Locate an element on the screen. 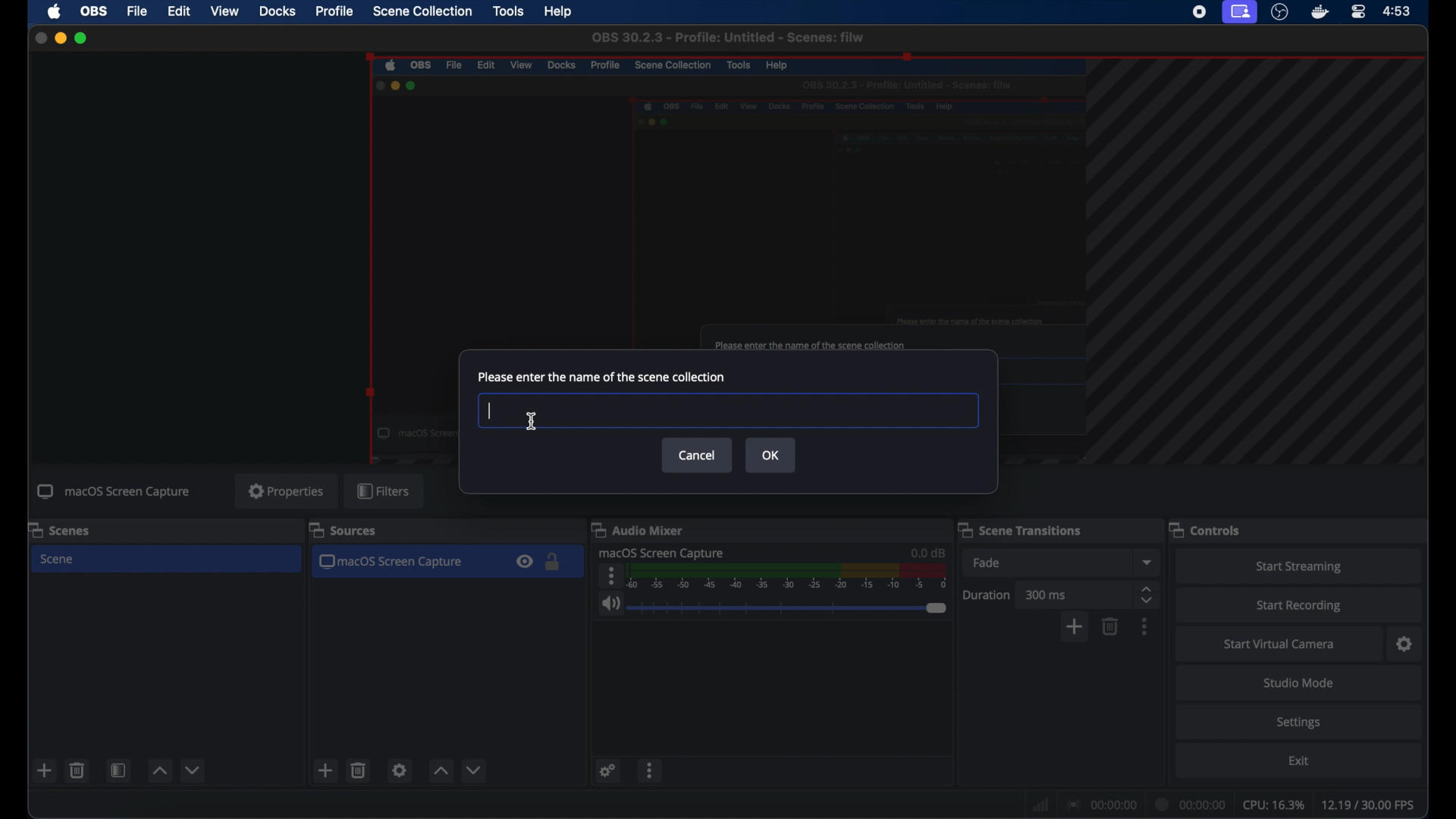 Image resolution: width=1456 pixels, height=819 pixels. connection is located at coordinates (1103, 802).